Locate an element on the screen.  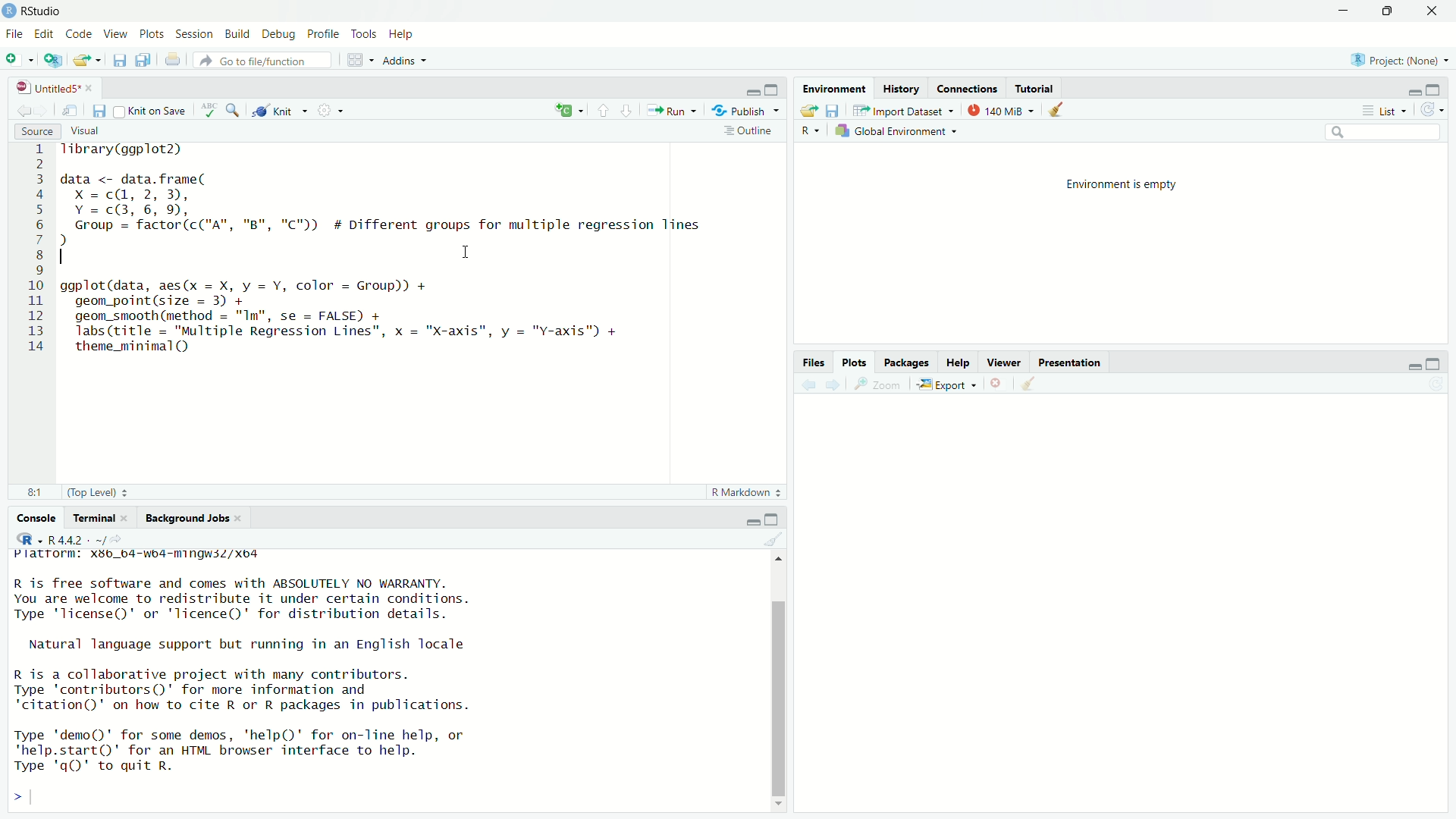
Help is located at coordinates (406, 33).